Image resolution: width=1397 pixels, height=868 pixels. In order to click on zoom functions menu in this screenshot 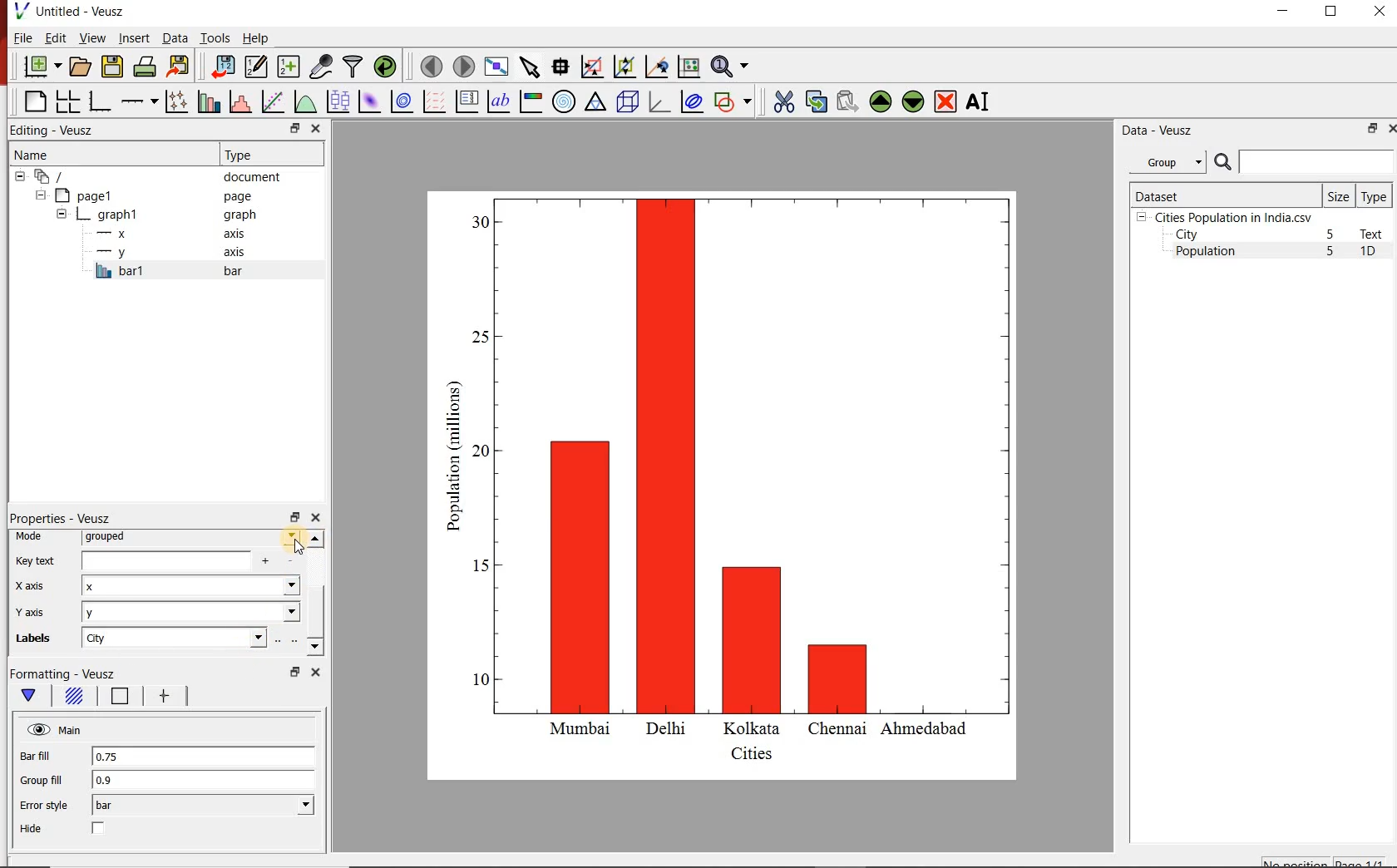, I will do `click(733, 67)`.